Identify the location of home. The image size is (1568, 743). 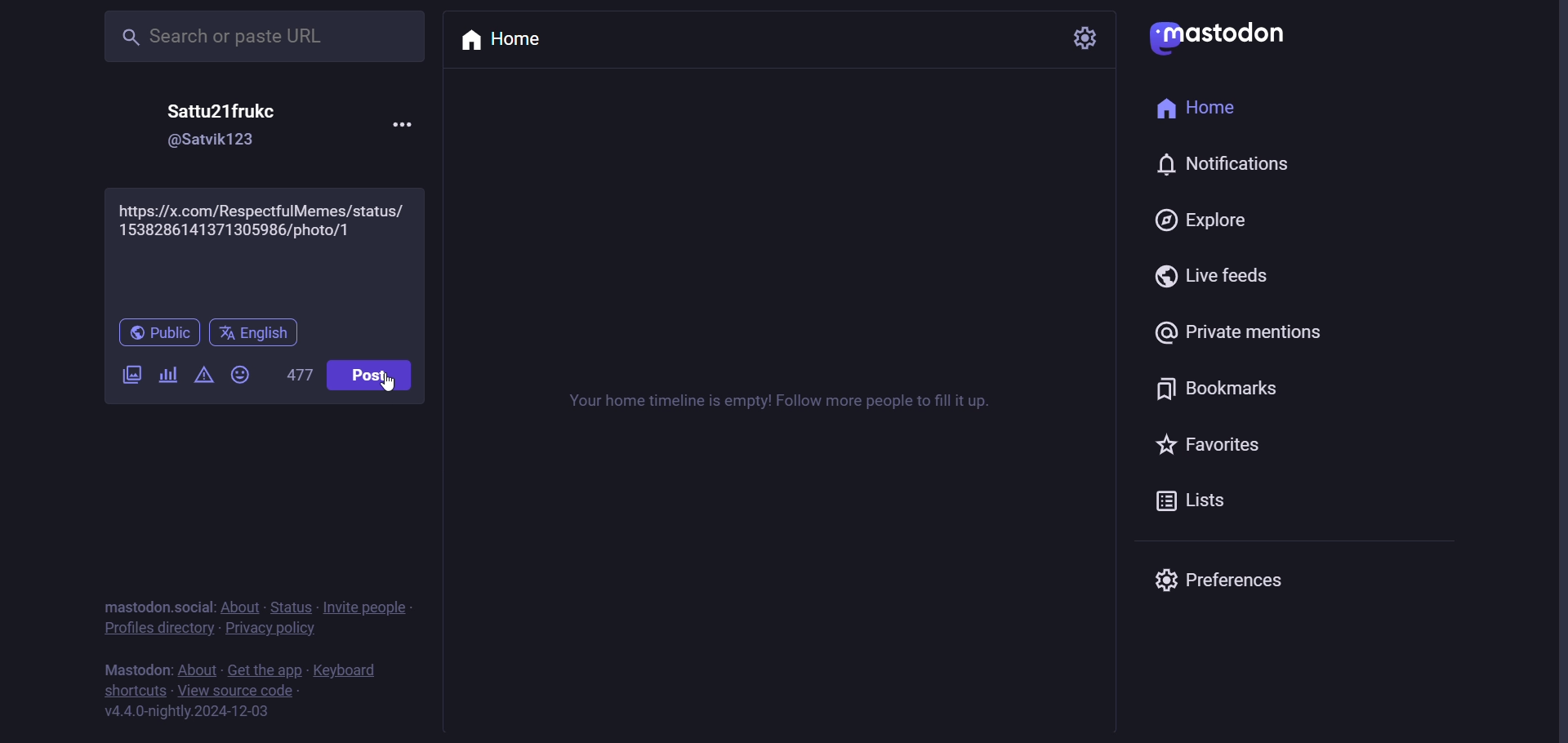
(1197, 108).